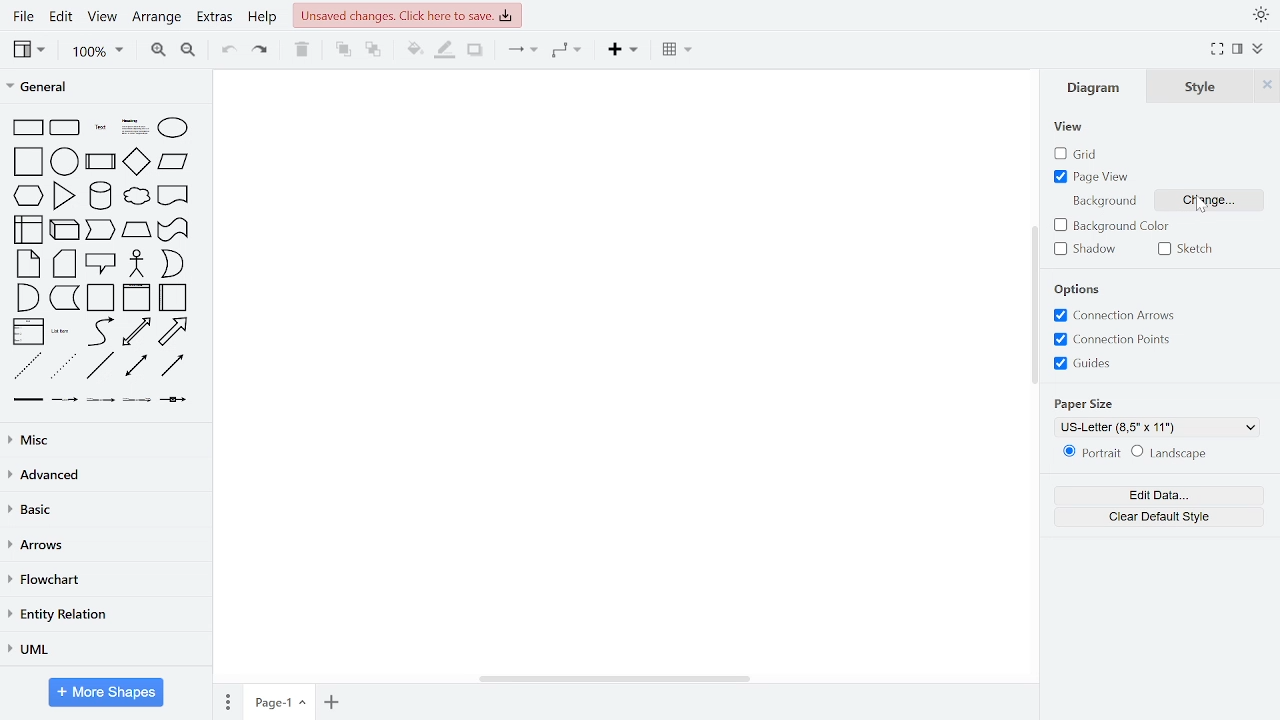 Image resolution: width=1280 pixels, height=720 pixels. I want to click on connector, so click(518, 52).